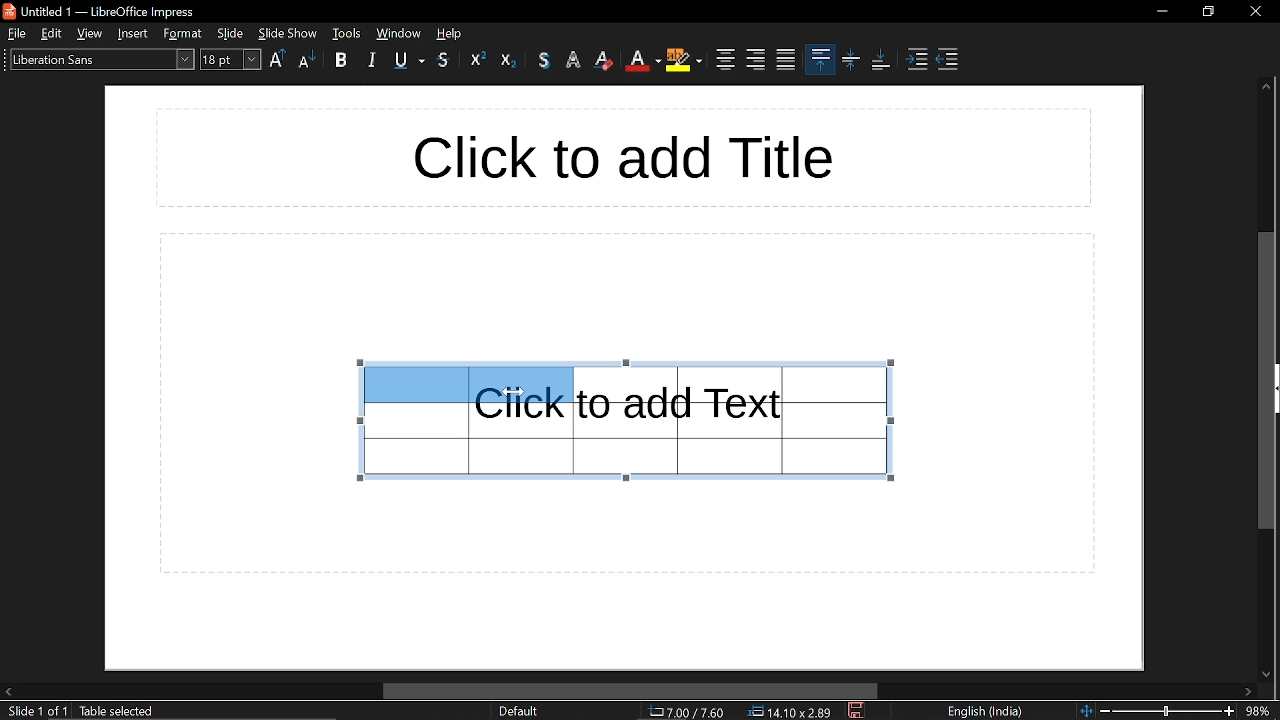 This screenshot has height=720, width=1280. I want to click on text style, so click(99, 59).